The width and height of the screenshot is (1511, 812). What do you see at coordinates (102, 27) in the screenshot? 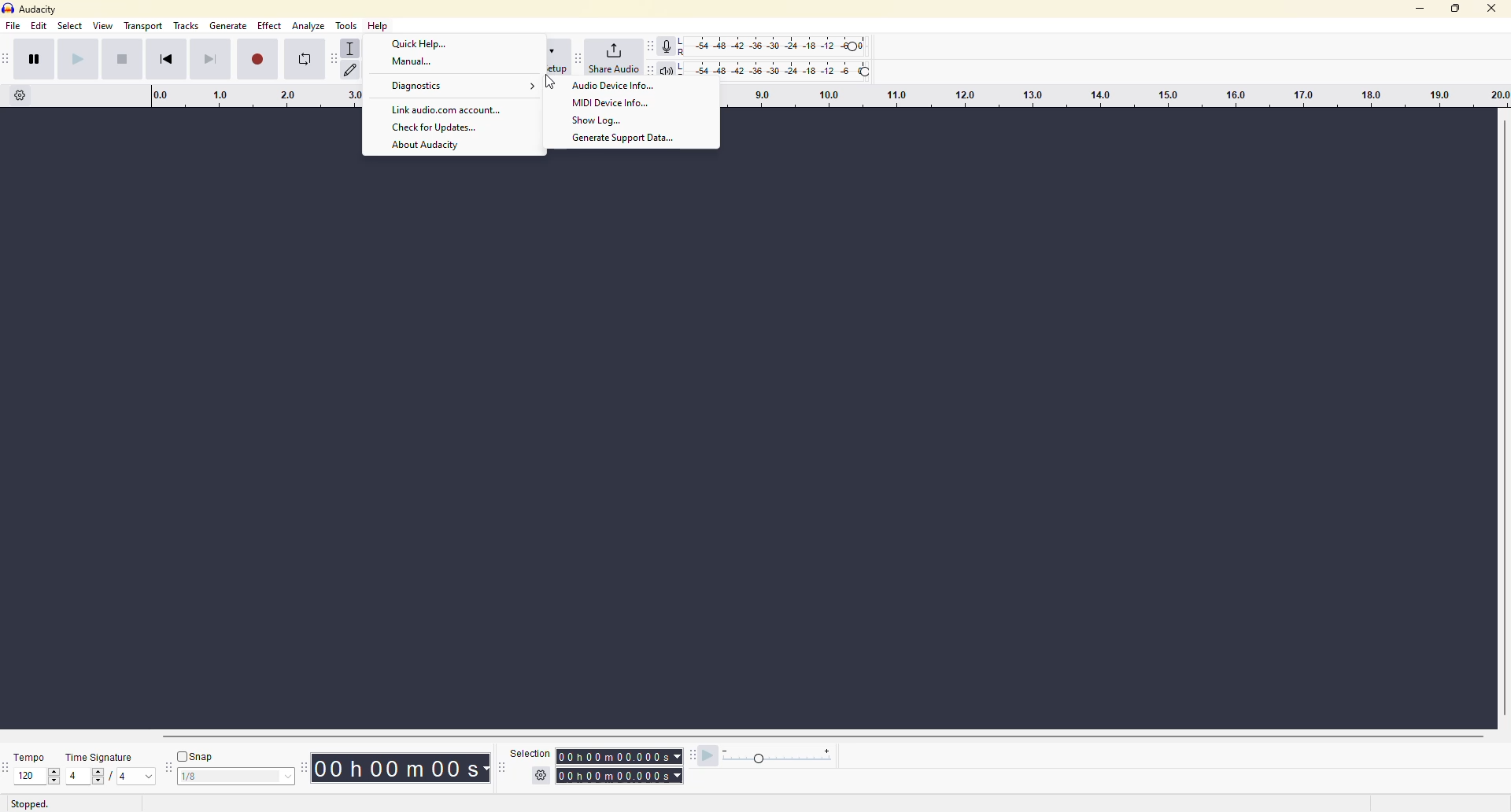
I see `view` at bounding box center [102, 27].